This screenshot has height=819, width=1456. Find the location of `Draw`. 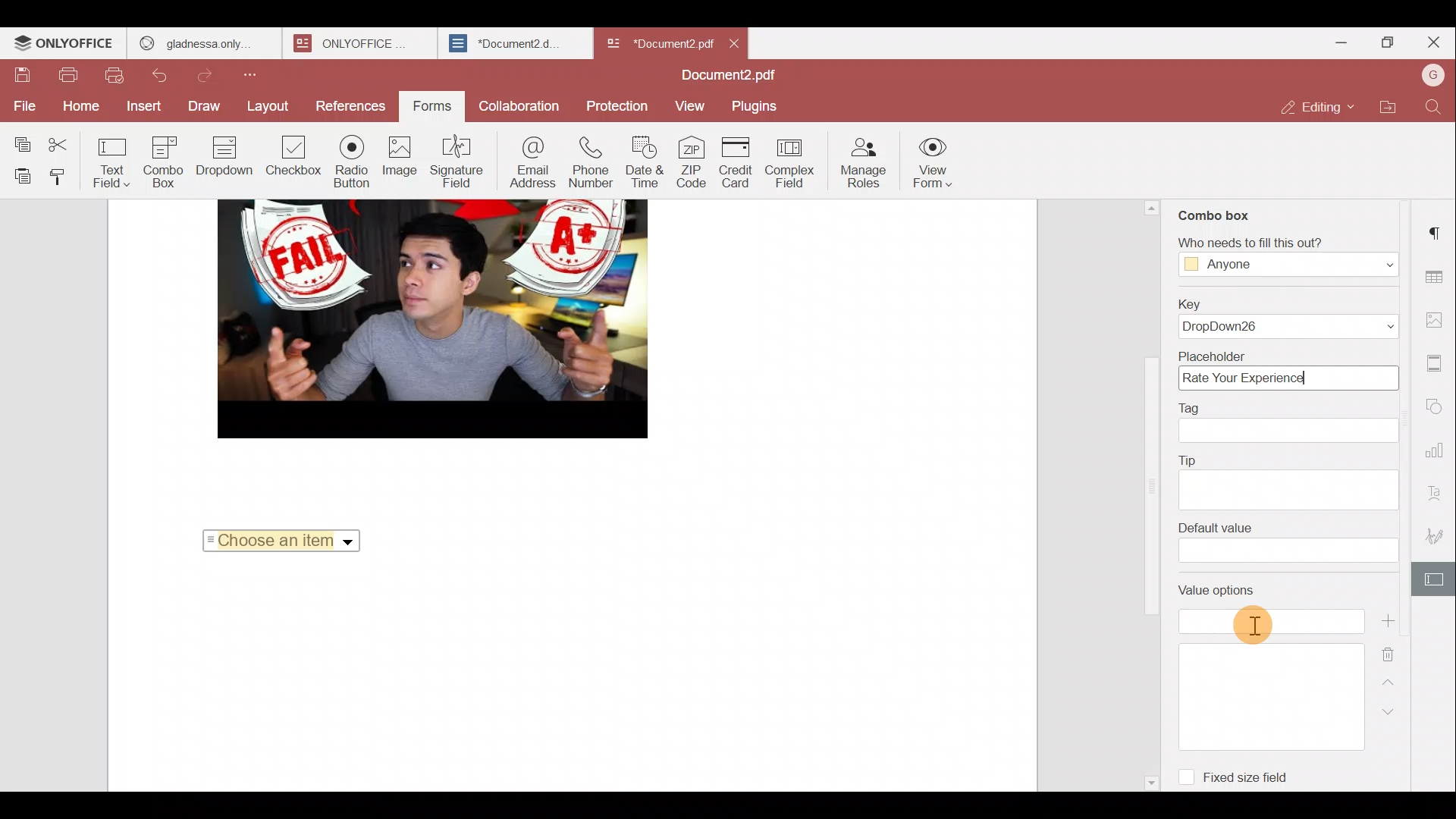

Draw is located at coordinates (206, 107).